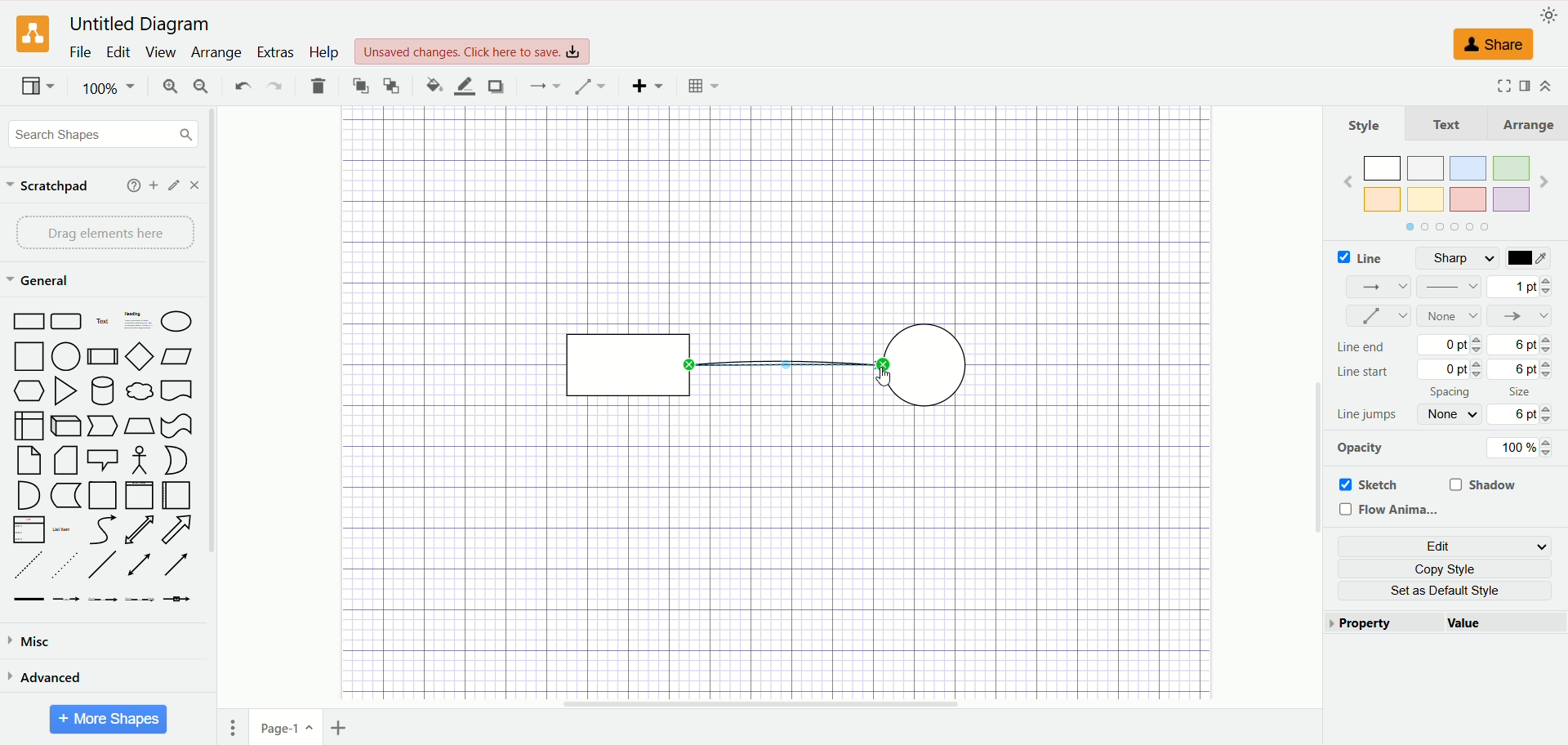  I want to click on shadow, so click(496, 87).